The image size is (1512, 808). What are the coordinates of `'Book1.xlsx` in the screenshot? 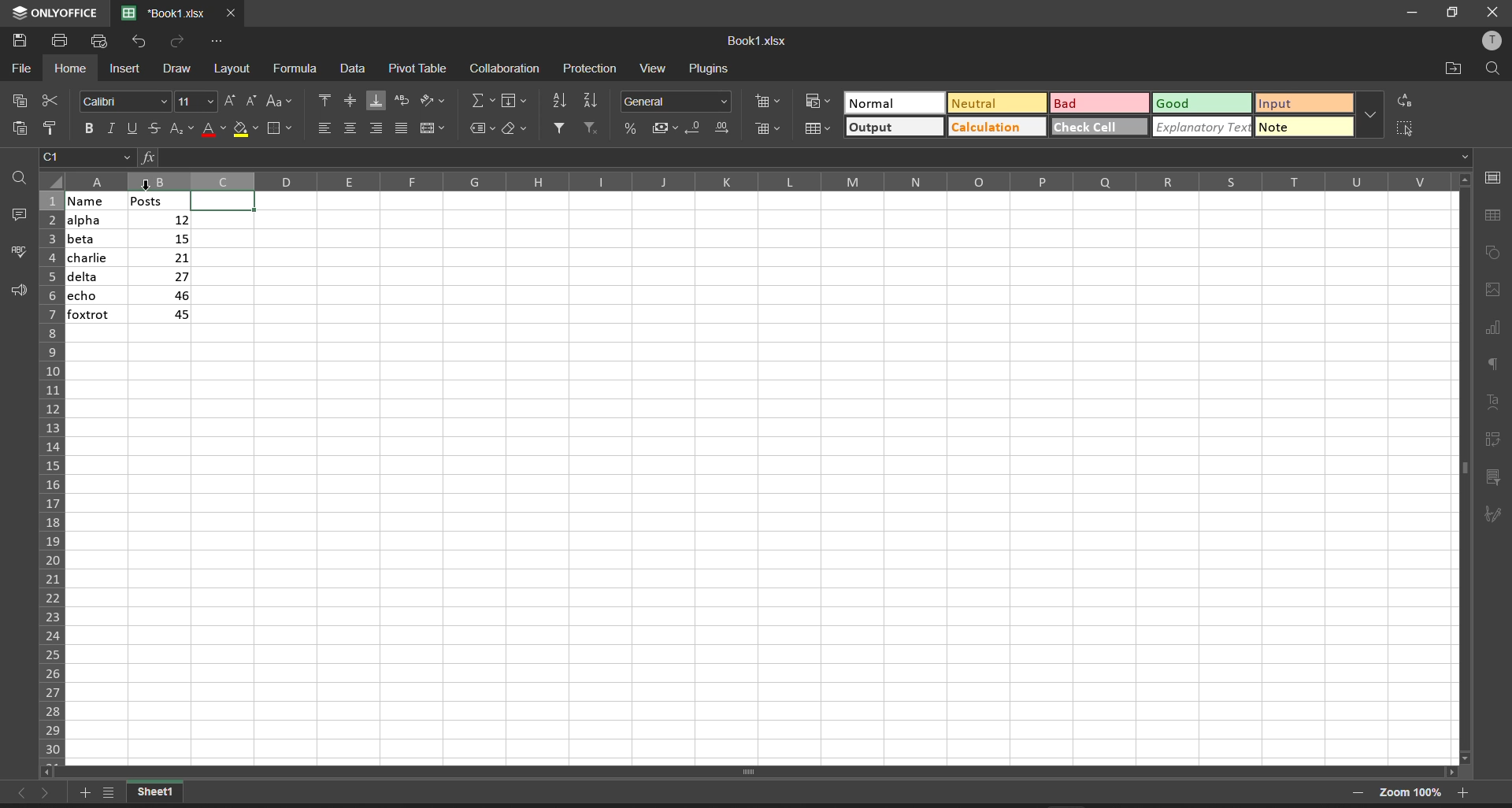 It's located at (161, 13).